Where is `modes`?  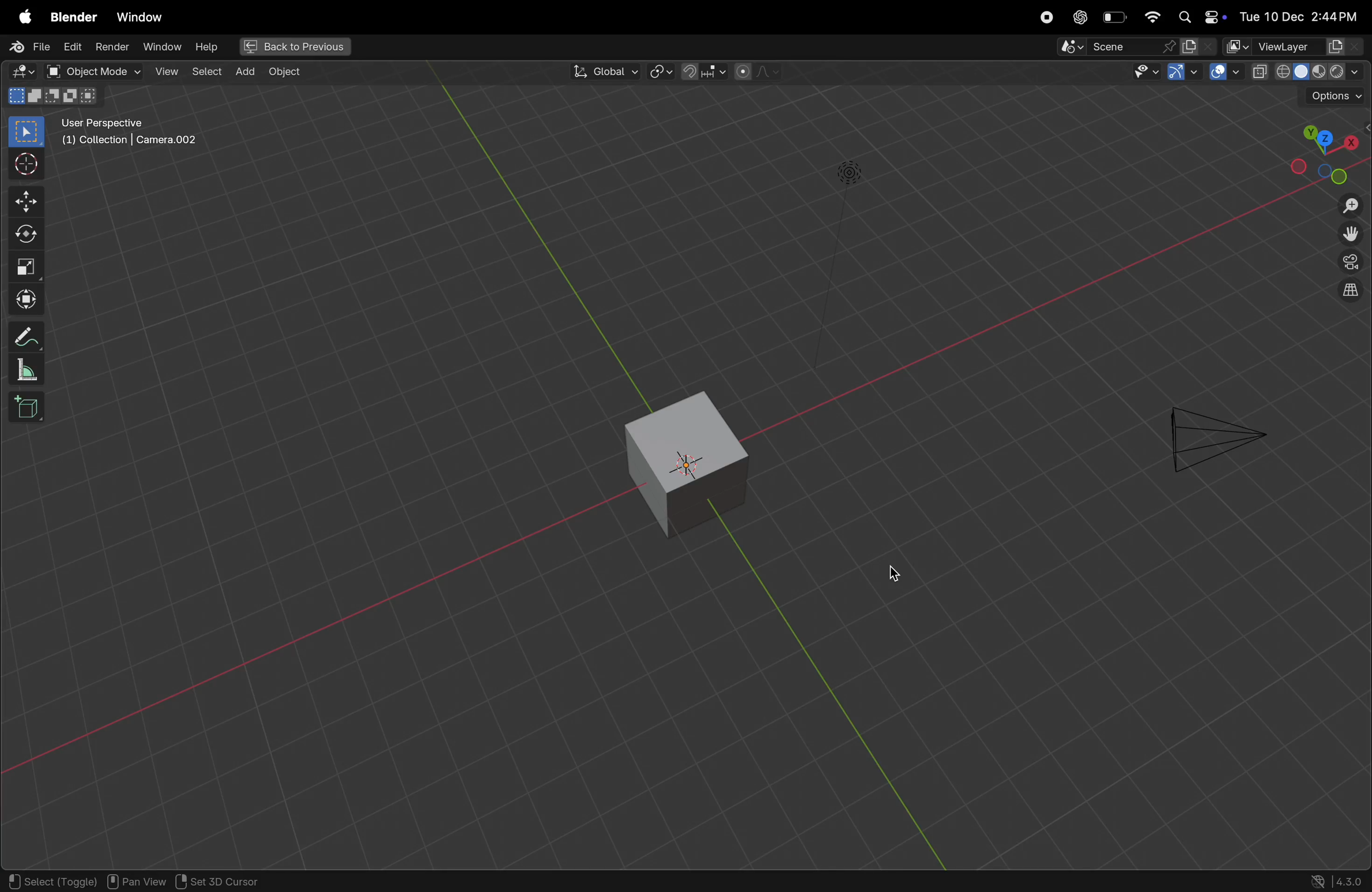 modes is located at coordinates (56, 97).